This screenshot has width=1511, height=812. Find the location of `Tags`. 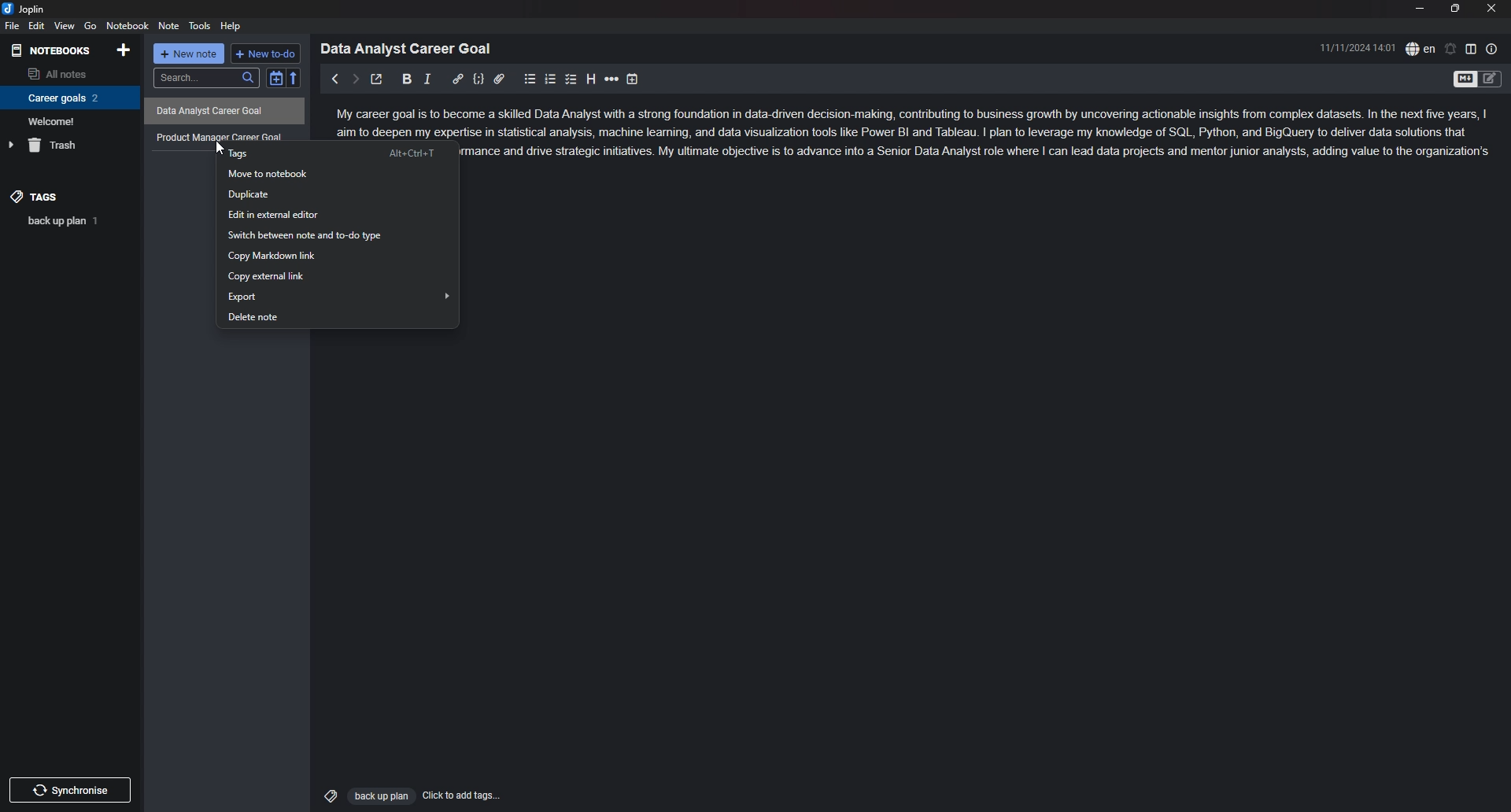

Tags is located at coordinates (327, 794).